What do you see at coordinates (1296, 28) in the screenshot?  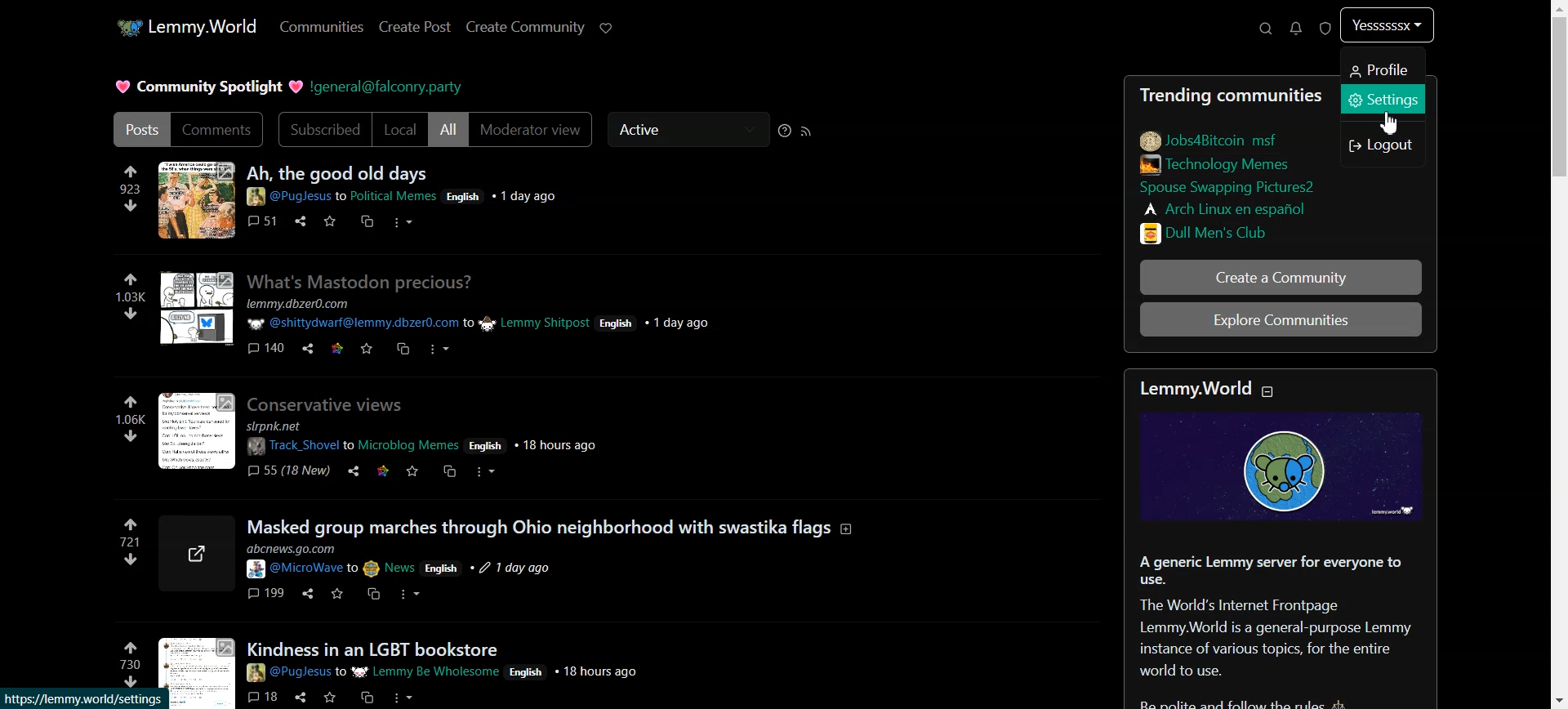 I see `Unread message` at bounding box center [1296, 28].